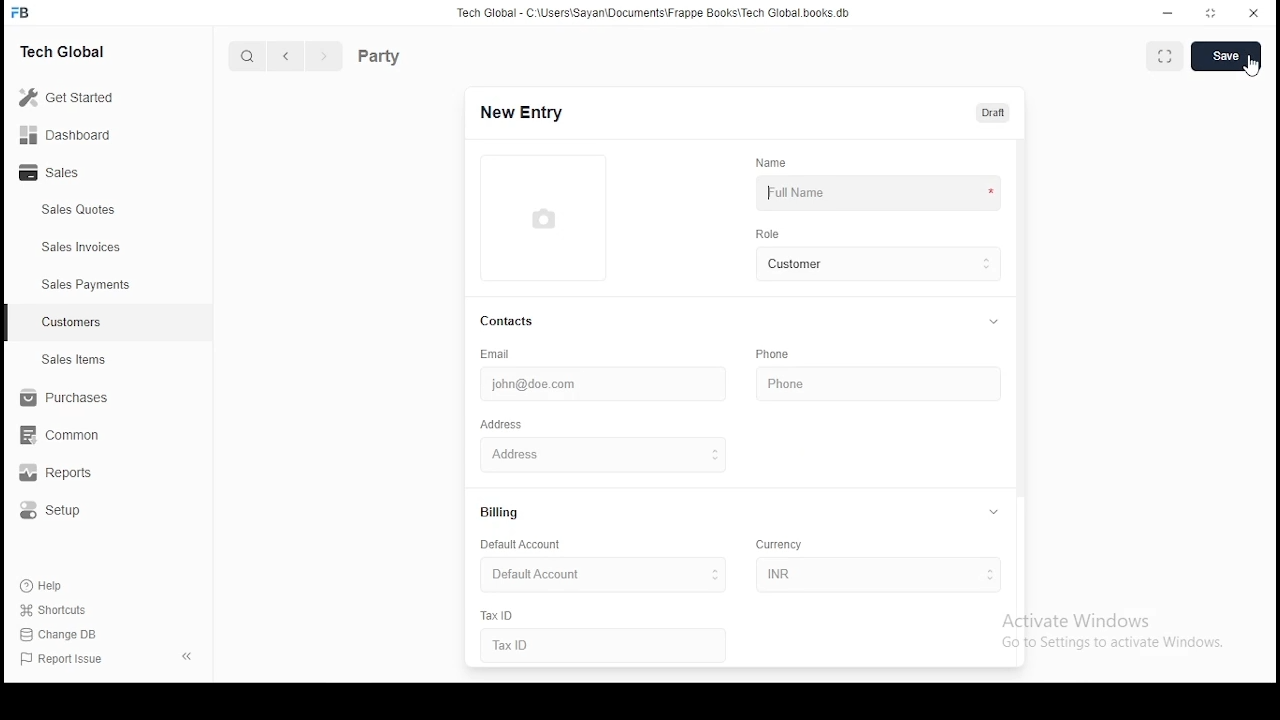 Image resolution: width=1280 pixels, height=720 pixels. I want to click on close pane, so click(189, 656).